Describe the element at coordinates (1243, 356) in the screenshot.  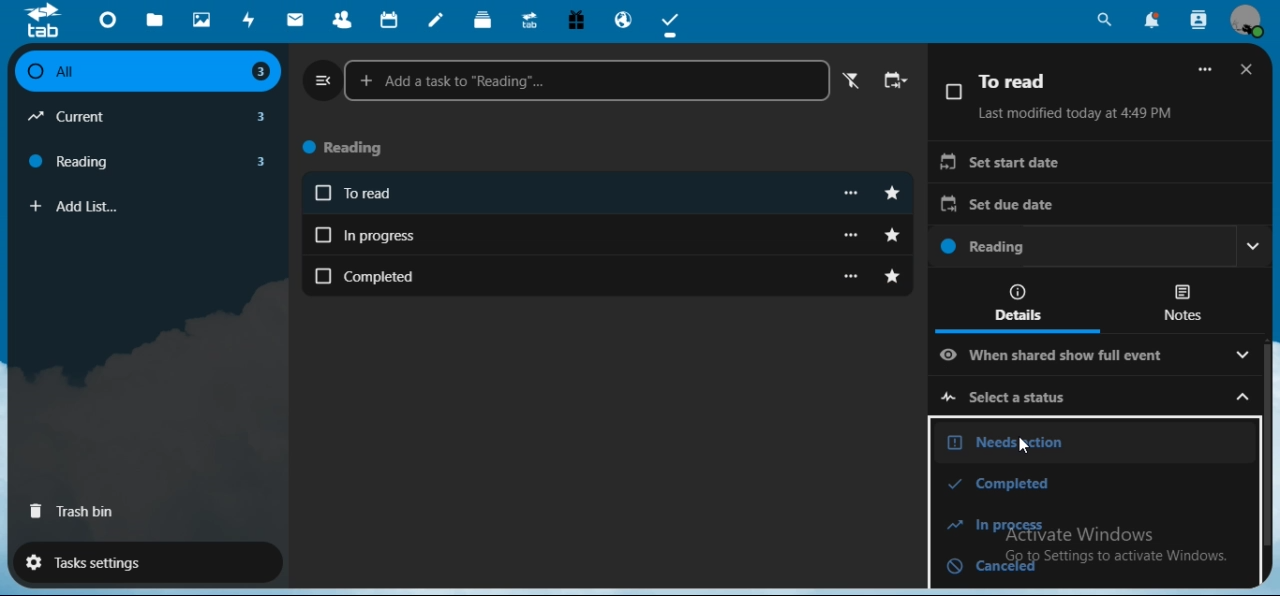
I see `Drop down` at that location.